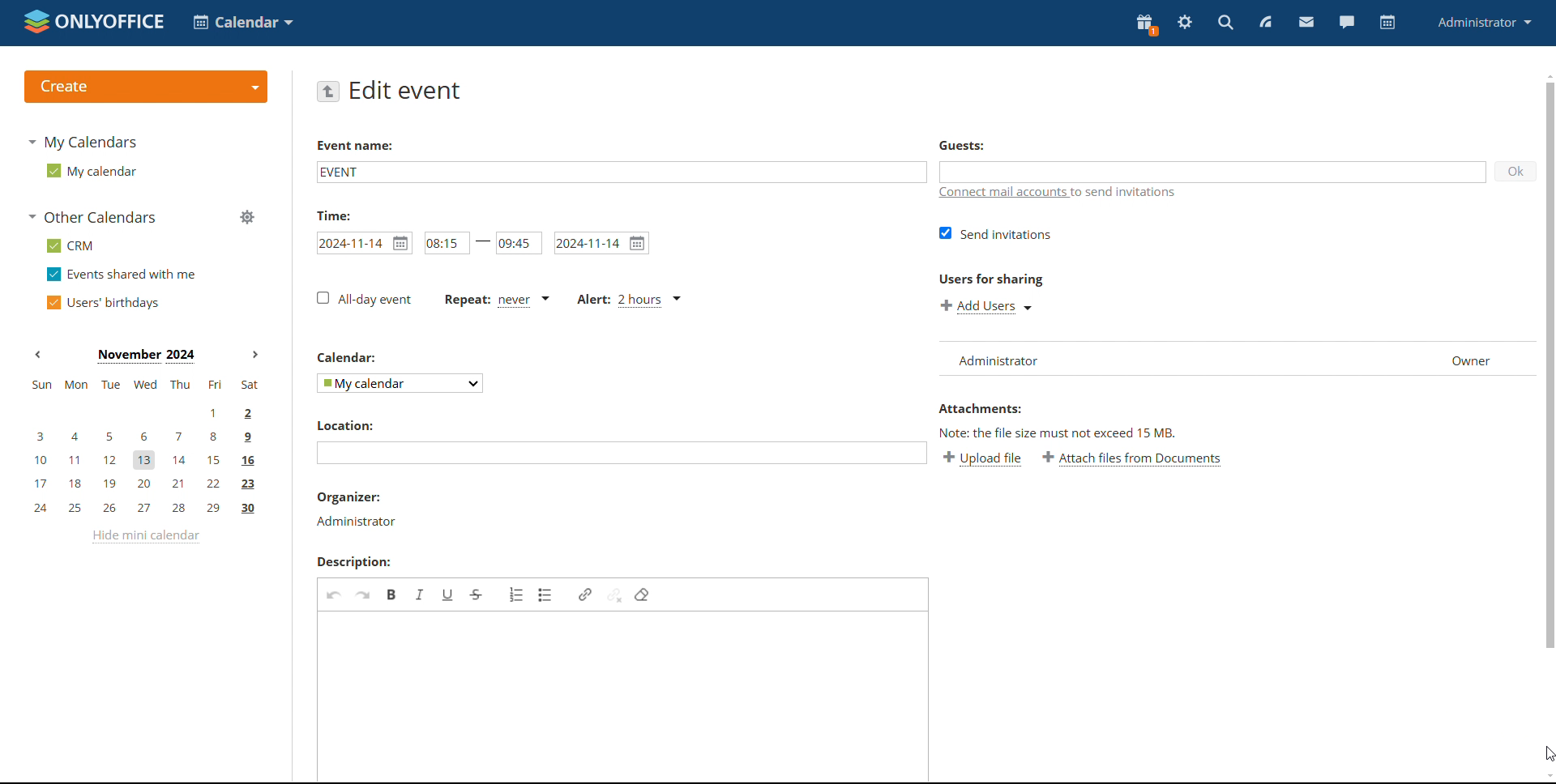 This screenshot has height=784, width=1556. What do you see at coordinates (622, 173) in the screenshot?
I see `add event name` at bounding box center [622, 173].